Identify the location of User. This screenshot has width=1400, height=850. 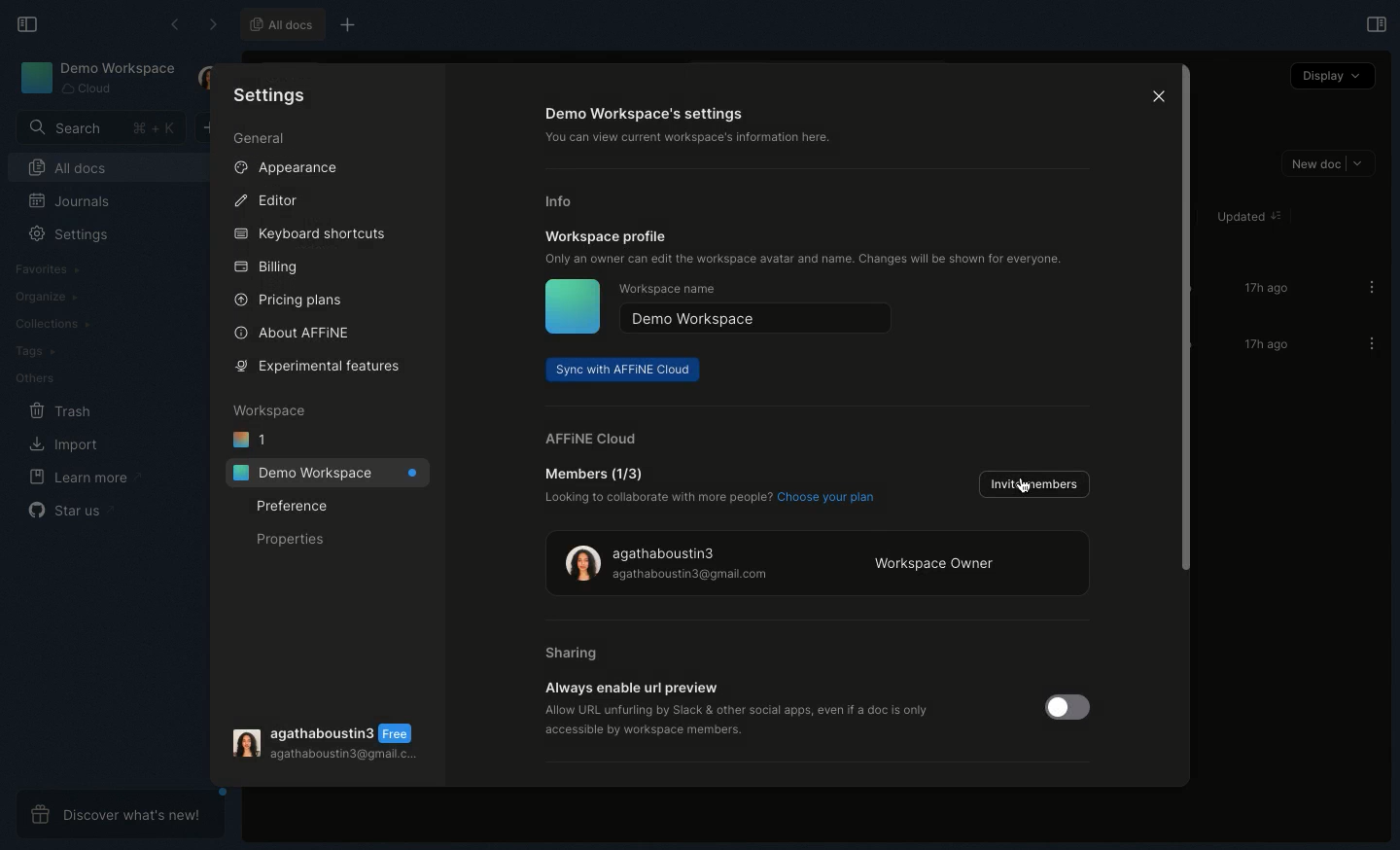
(208, 79).